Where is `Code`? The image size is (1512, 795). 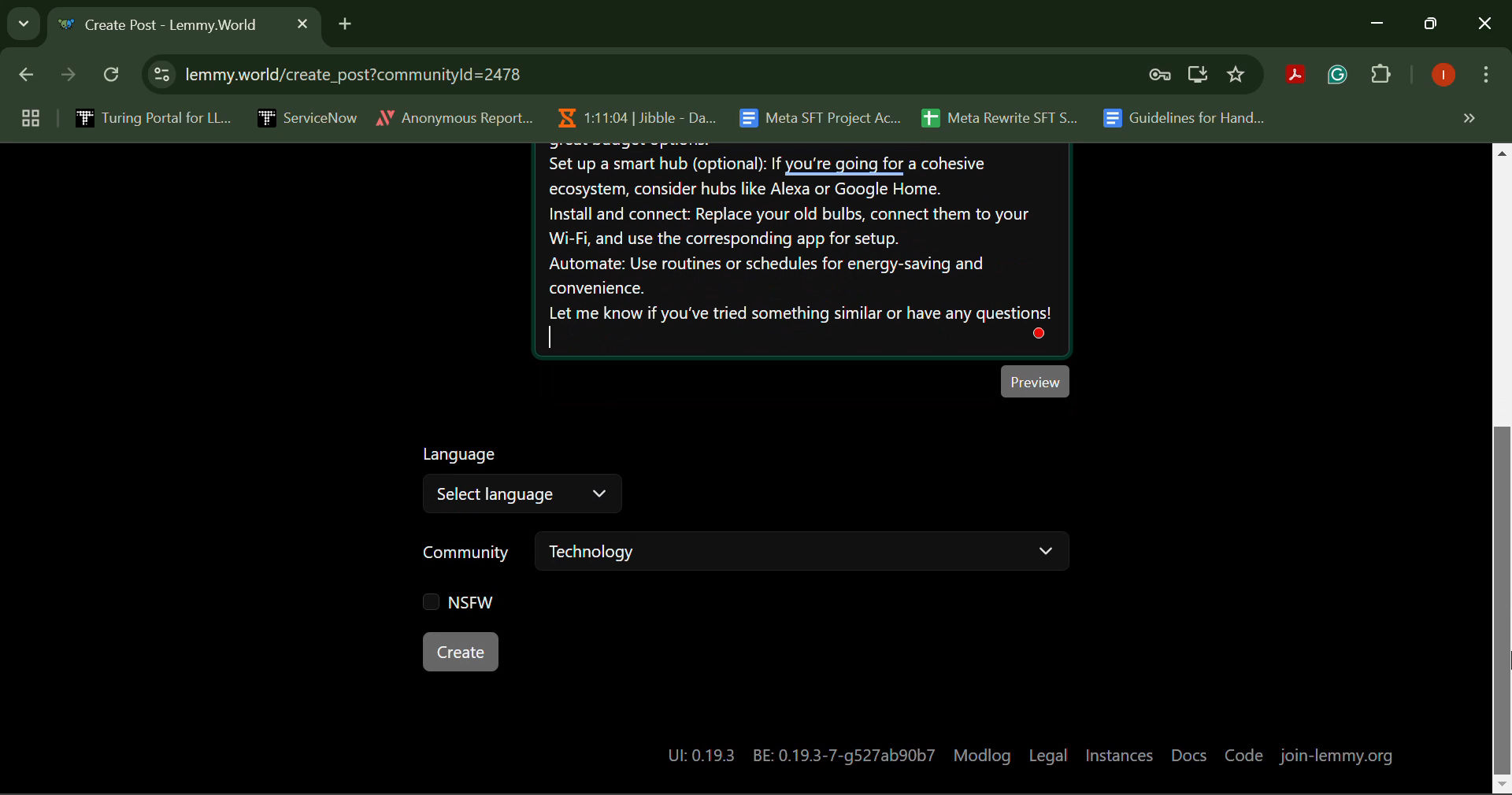 Code is located at coordinates (1242, 751).